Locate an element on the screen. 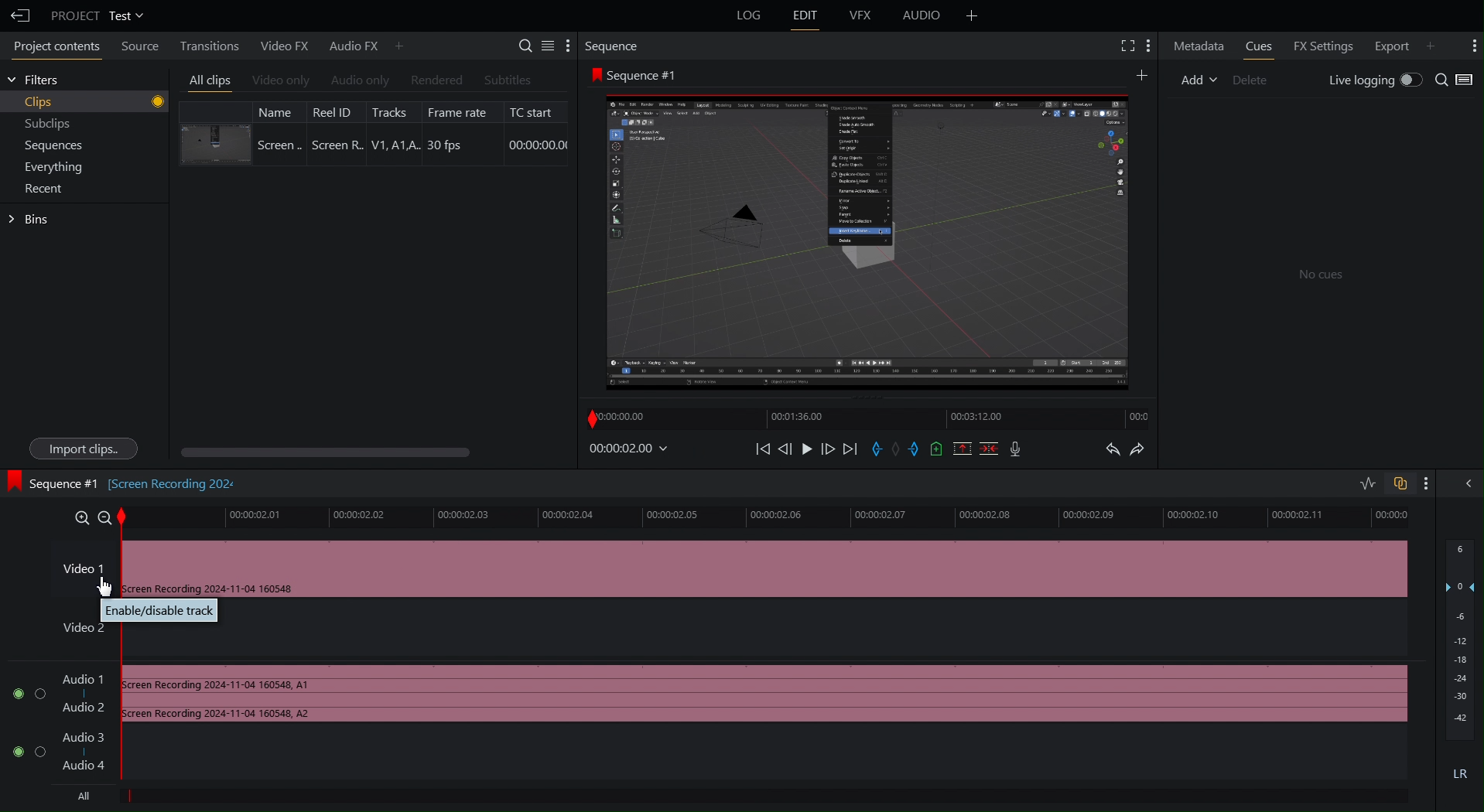 This screenshot has width=1484, height=812. Audio is located at coordinates (919, 16).